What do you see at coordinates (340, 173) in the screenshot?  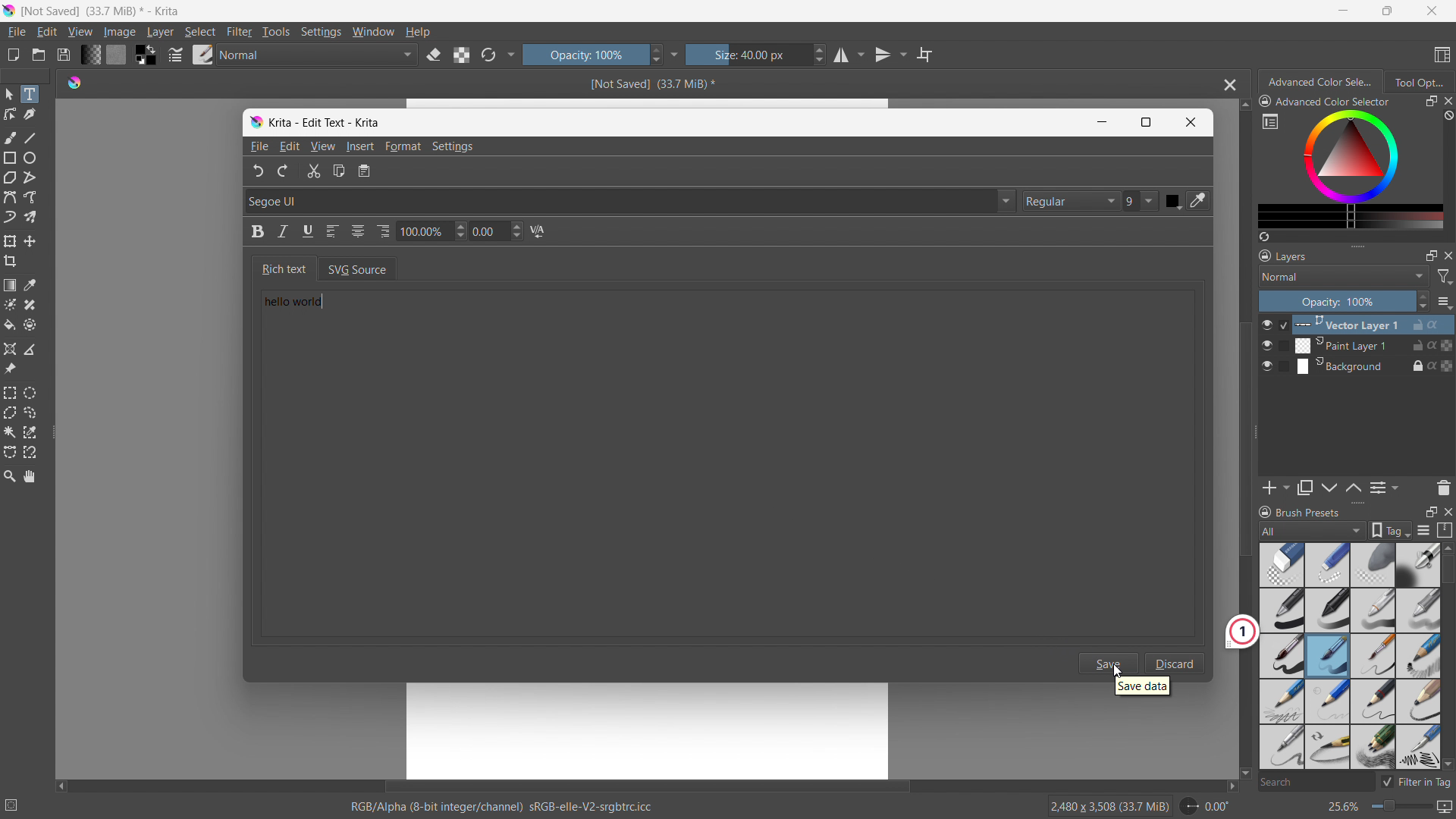 I see `Copy` at bounding box center [340, 173].